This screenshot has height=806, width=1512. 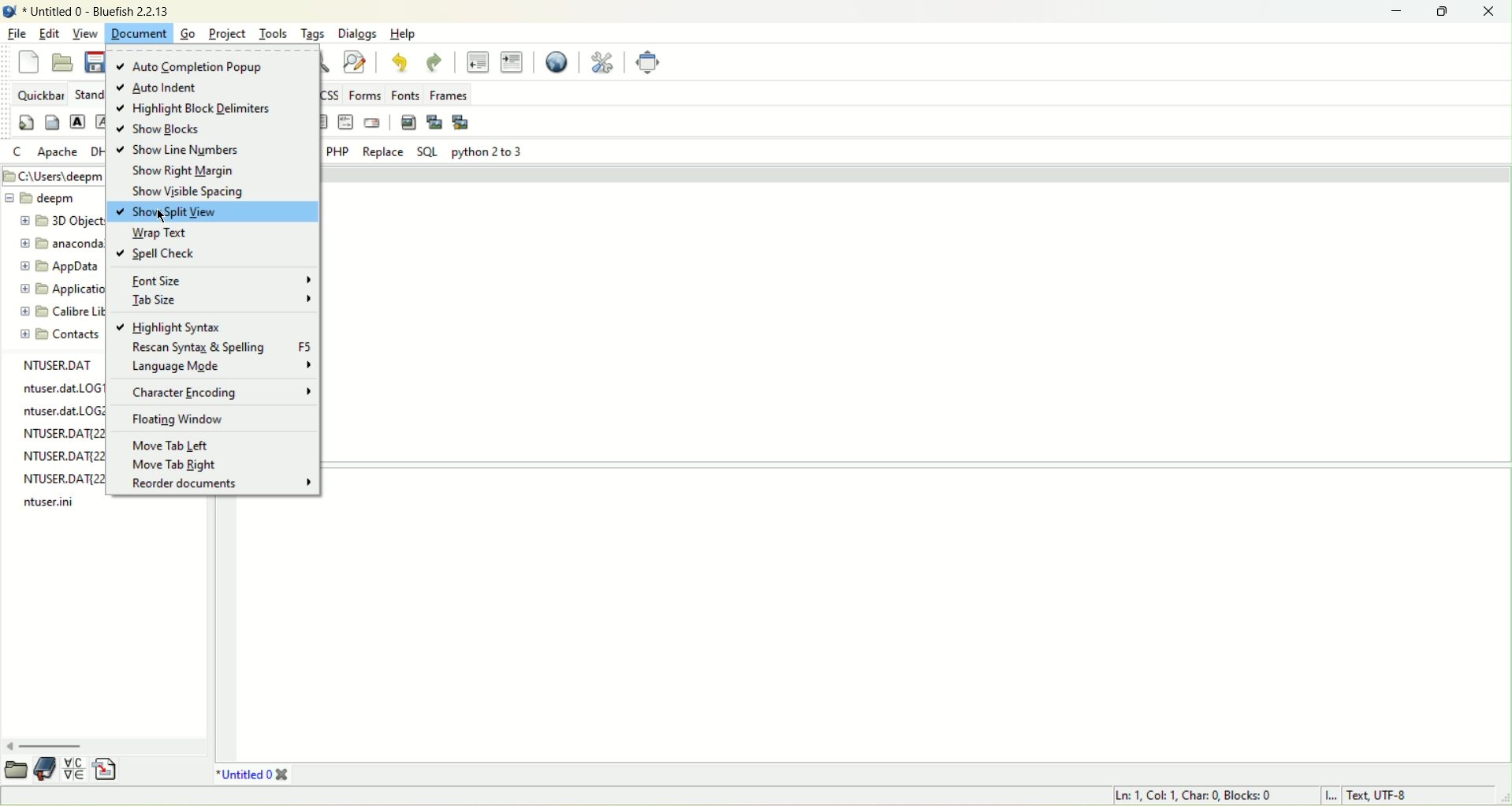 What do you see at coordinates (191, 326) in the screenshot?
I see `highlight syntax` at bounding box center [191, 326].